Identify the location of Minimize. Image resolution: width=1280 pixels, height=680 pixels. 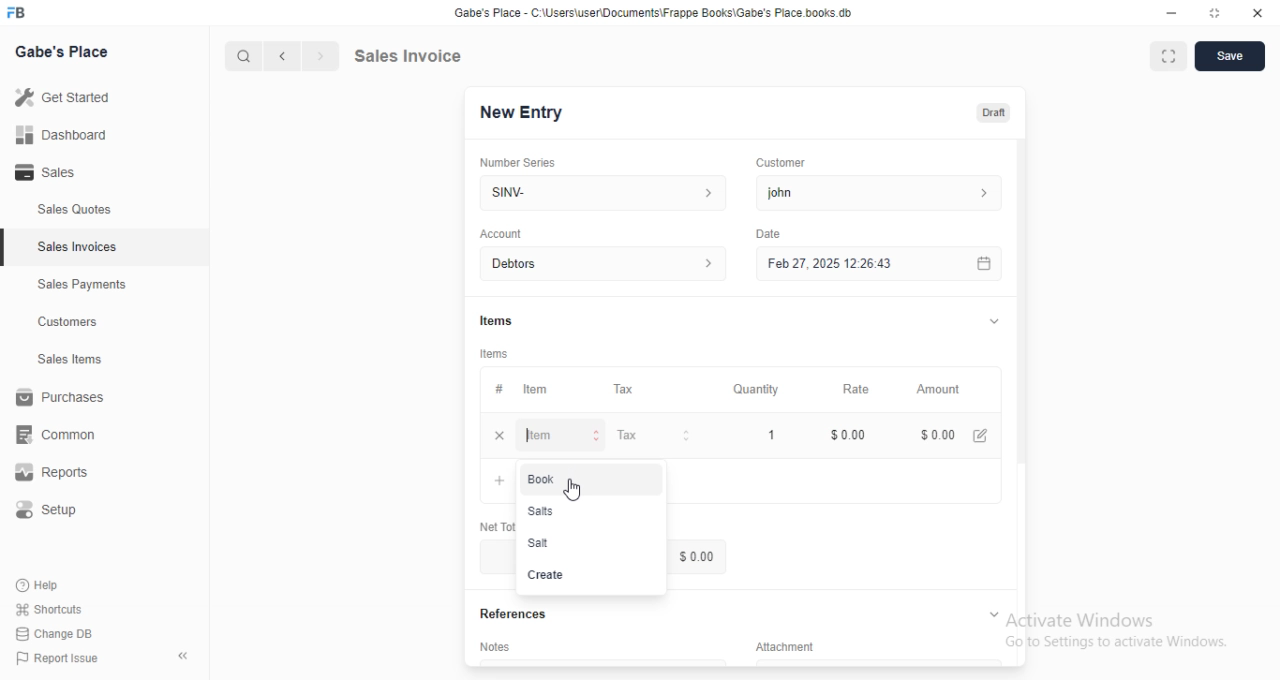
(1169, 14).